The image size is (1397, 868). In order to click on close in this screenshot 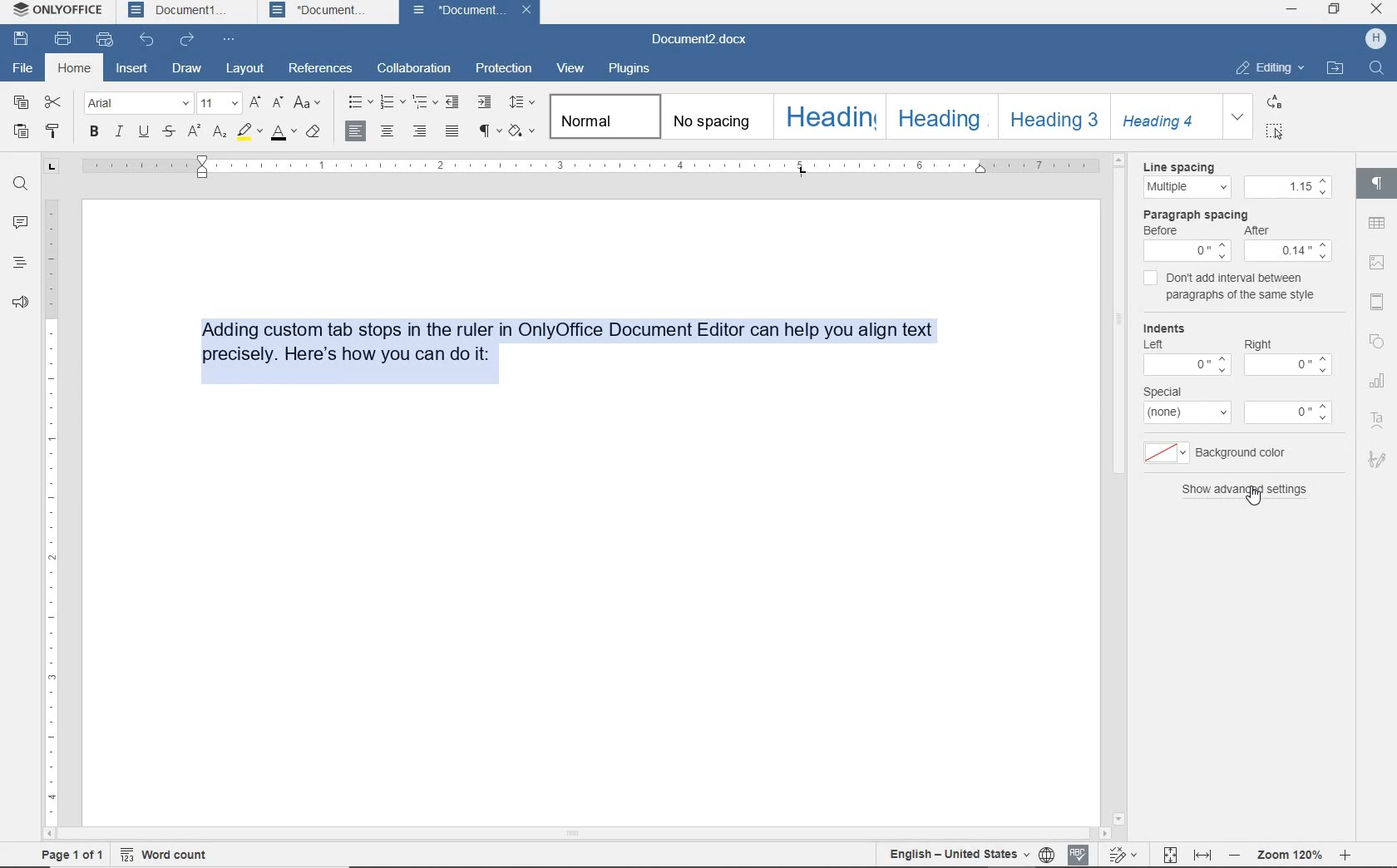, I will do `click(1376, 10)`.